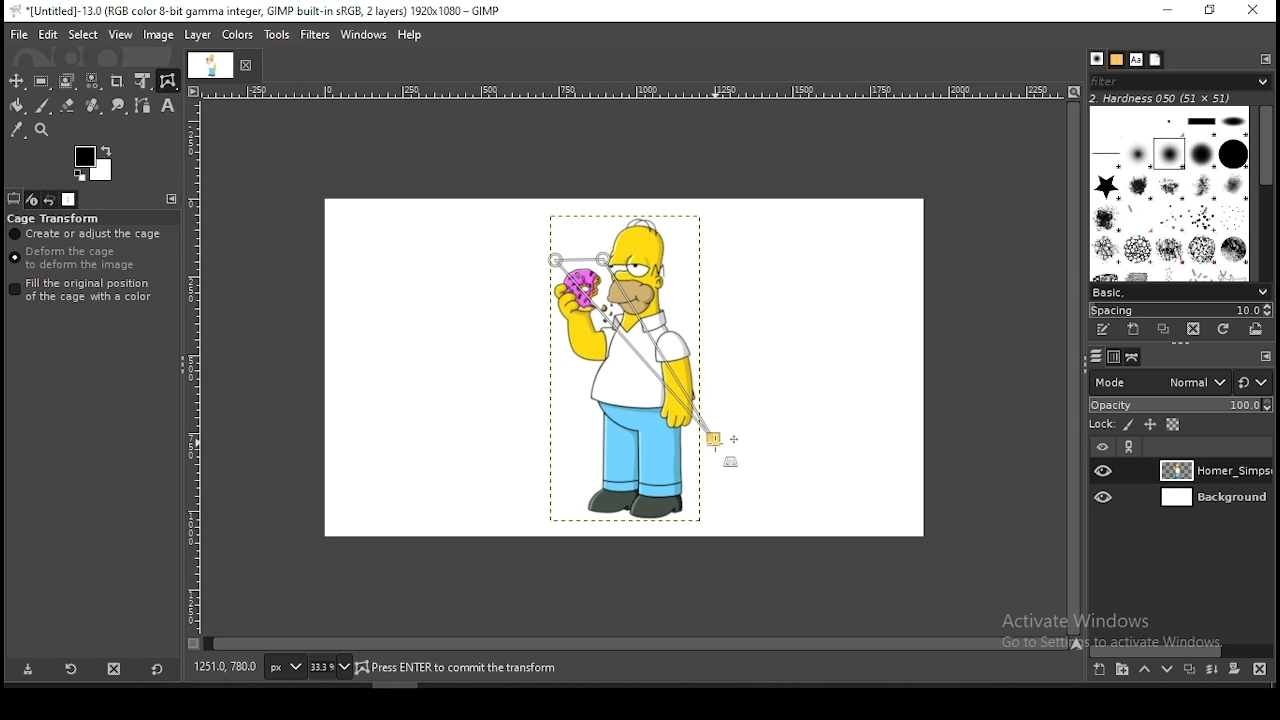  I want to click on healing tool, so click(93, 105).